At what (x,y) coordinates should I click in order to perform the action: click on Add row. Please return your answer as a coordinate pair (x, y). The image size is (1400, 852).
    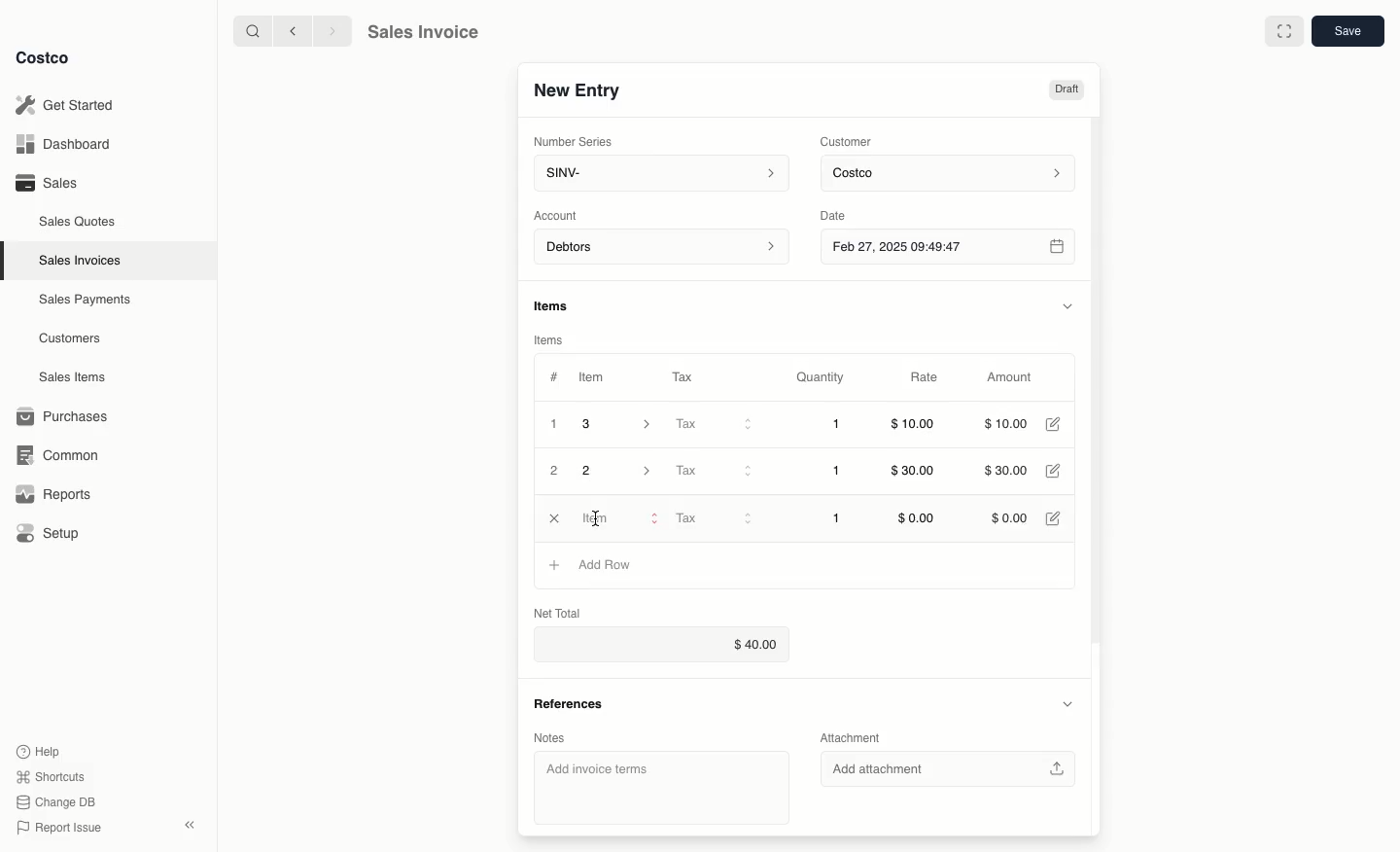
    Looking at the image, I should click on (605, 564).